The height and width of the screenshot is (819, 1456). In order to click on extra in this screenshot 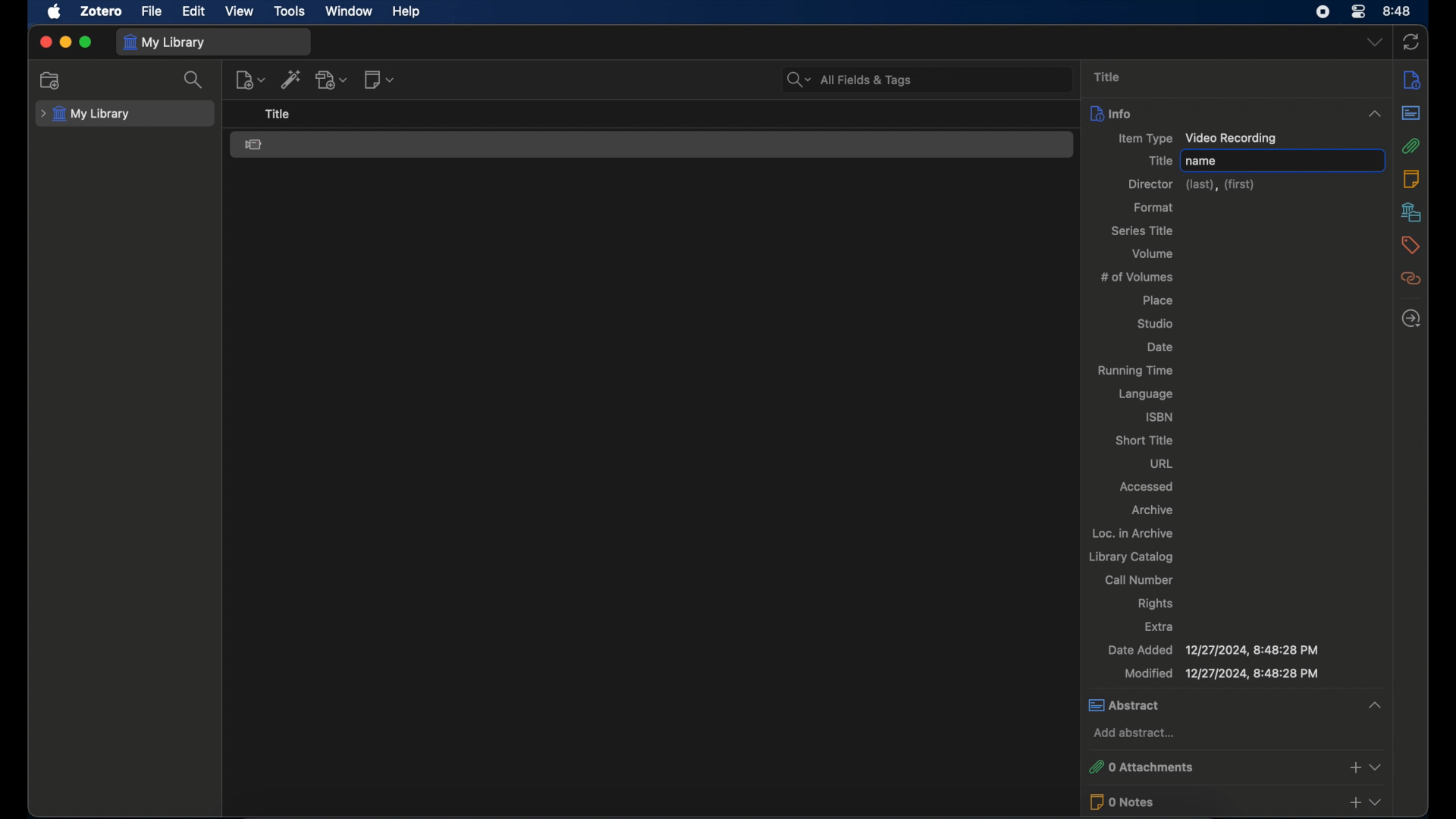, I will do `click(1159, 626)`.